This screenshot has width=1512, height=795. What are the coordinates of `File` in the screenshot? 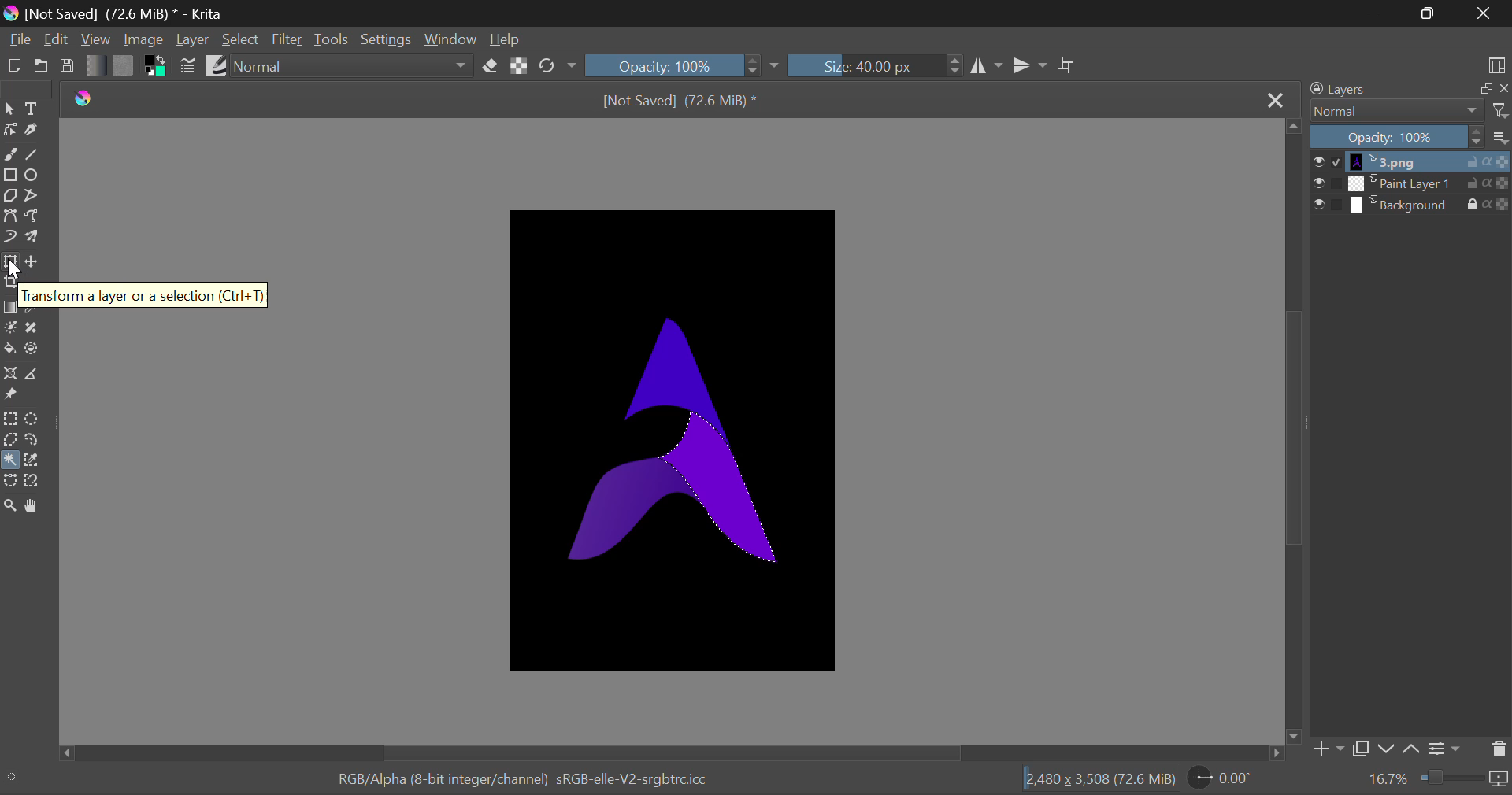 It's located at (19, 39).